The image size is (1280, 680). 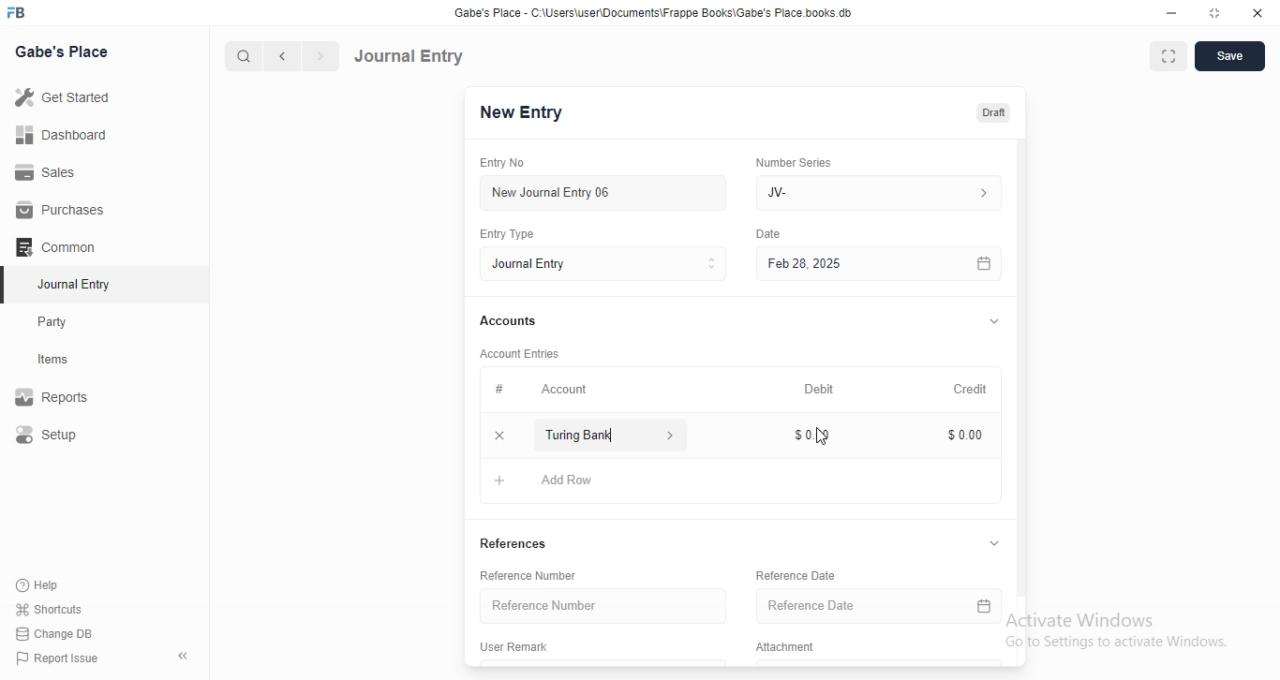 What do you see at coordinates (65, 399) in the screenshot?
I see `Reports` at bounding box center [65, 399].